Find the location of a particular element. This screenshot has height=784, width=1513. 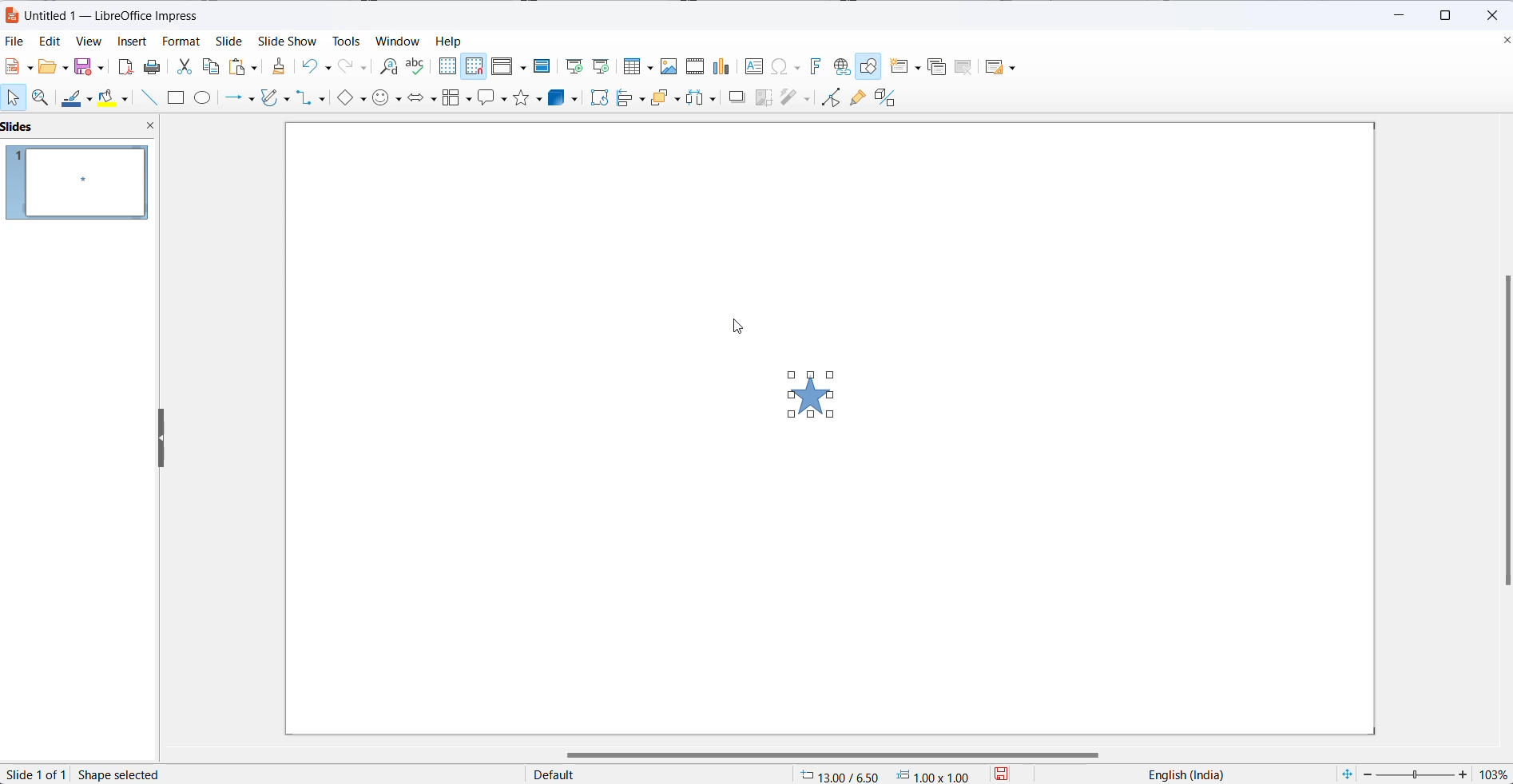

display views is located at coordinates (510, 65).